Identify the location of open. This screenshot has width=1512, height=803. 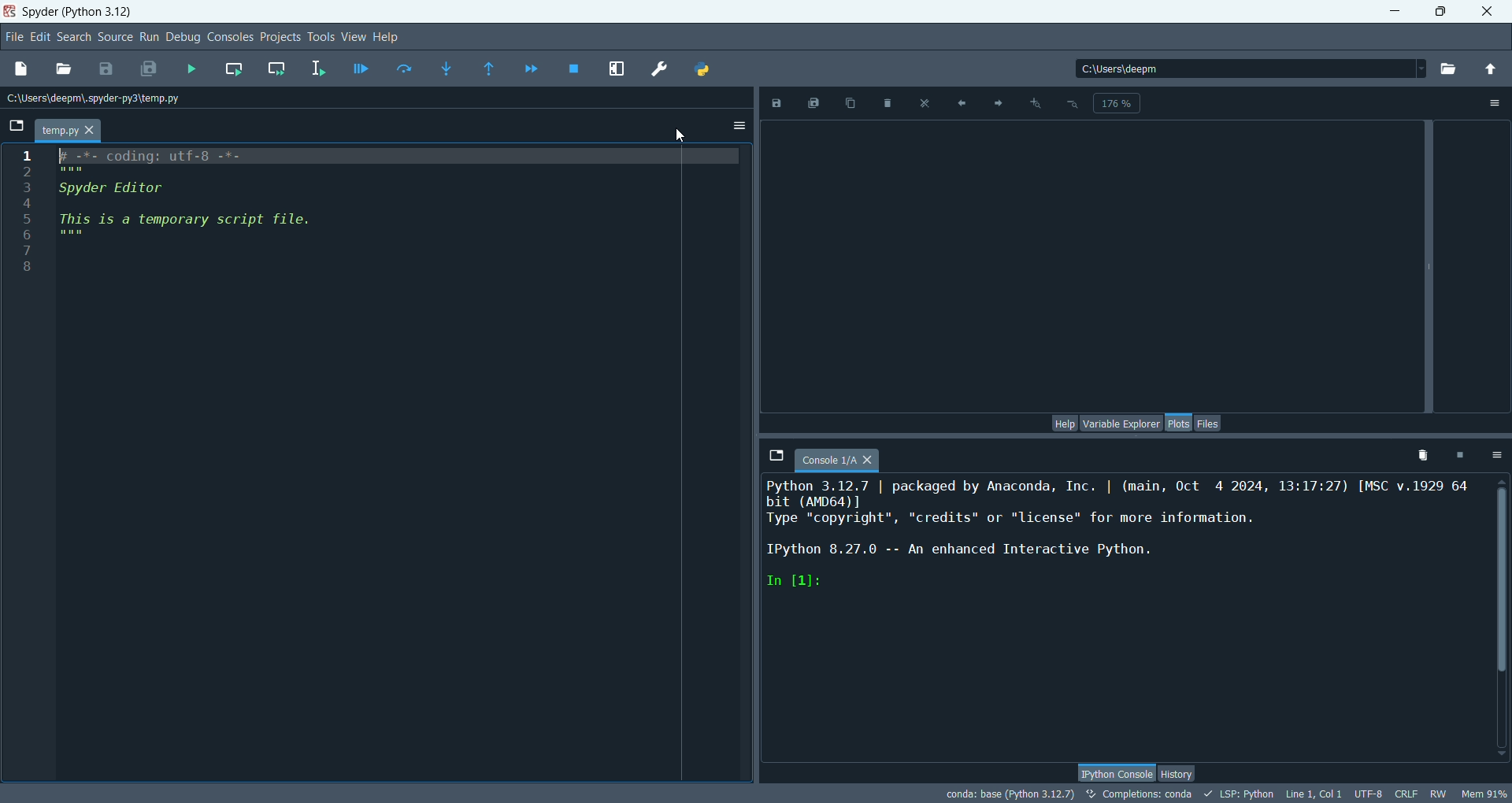
(60, 68).